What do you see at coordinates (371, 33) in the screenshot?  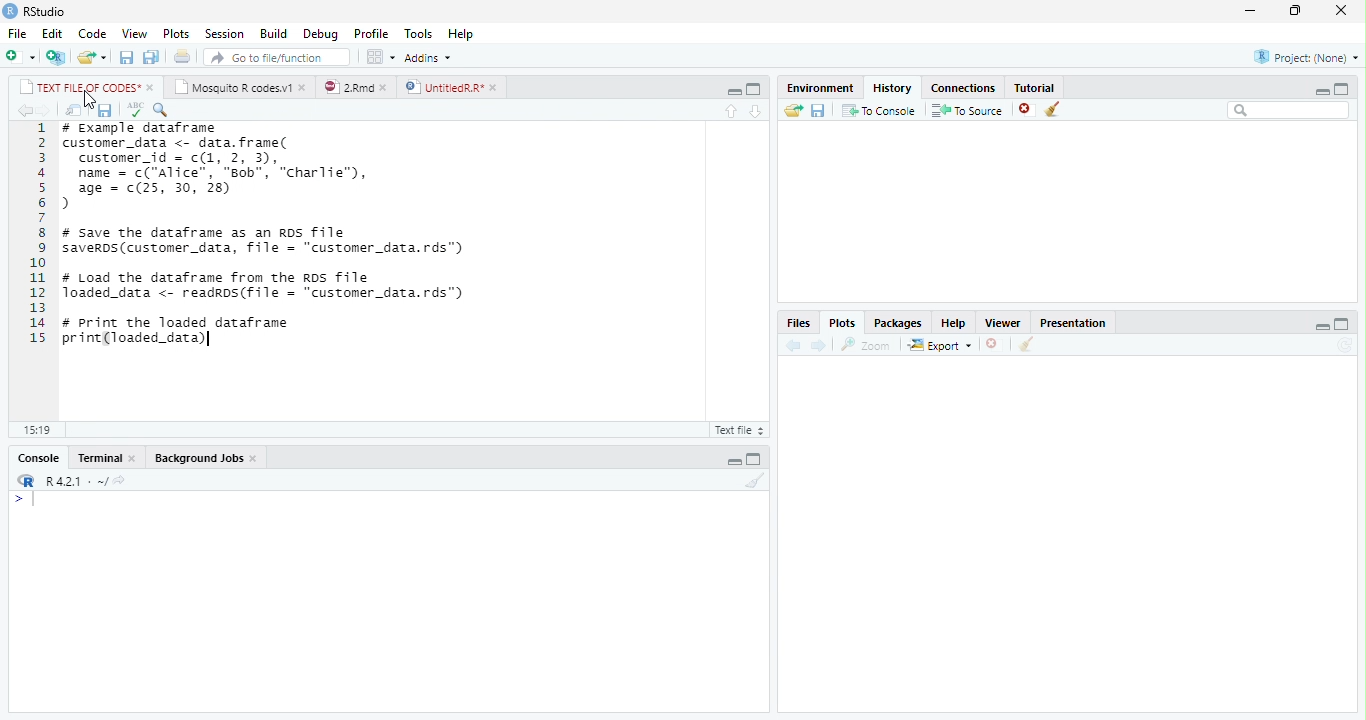 I see `Profile` at bounding box center [371, 33].